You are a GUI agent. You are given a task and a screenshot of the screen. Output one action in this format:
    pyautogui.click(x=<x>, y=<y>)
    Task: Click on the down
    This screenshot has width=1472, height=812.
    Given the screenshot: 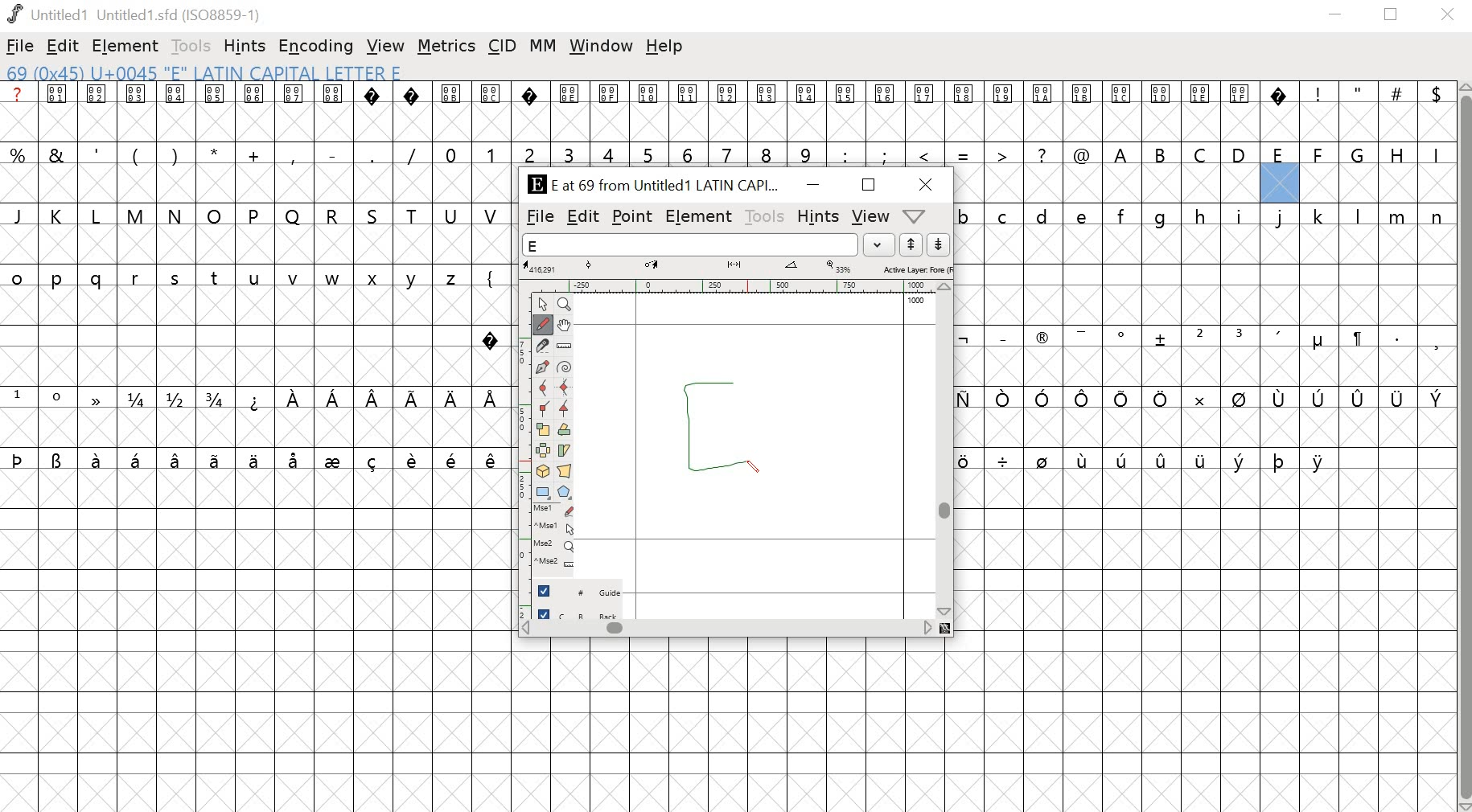 What is the action you would take?
    pyautogui.click(x=937, y=244)
    